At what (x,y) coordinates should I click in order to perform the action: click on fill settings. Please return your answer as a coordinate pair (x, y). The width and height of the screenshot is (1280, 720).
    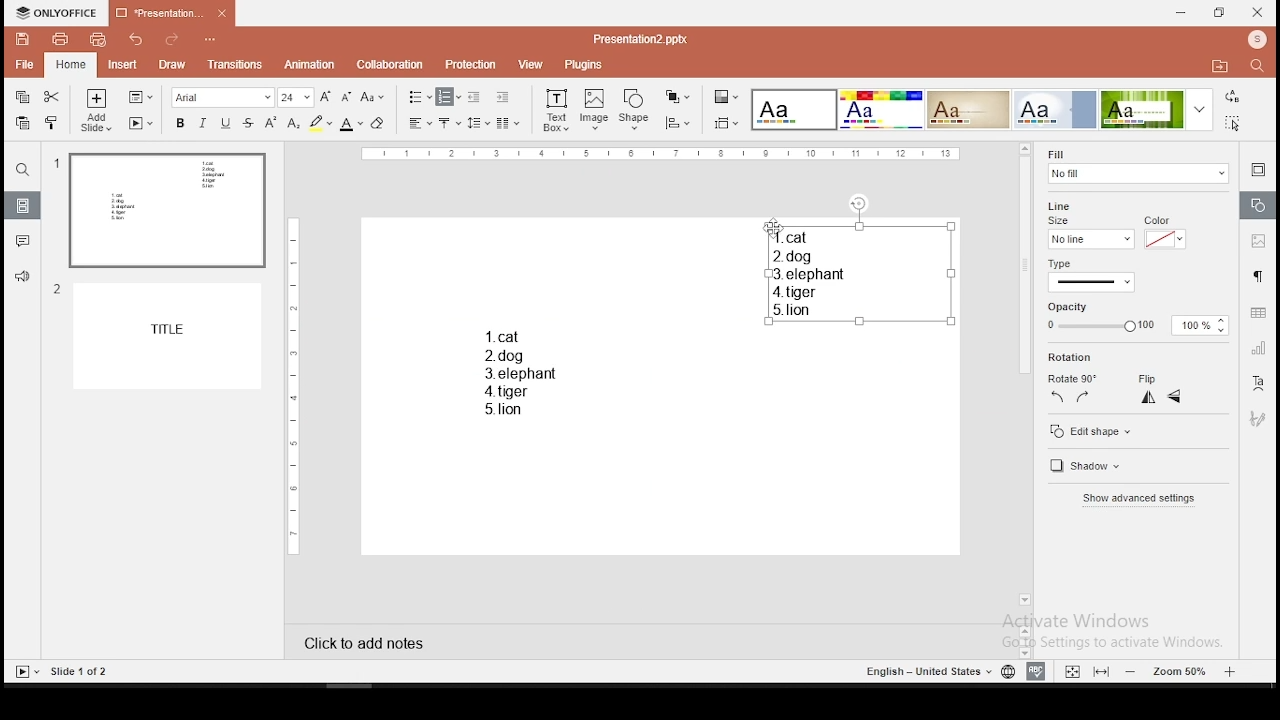
    Looking at the image, I should click on (1135, 164).